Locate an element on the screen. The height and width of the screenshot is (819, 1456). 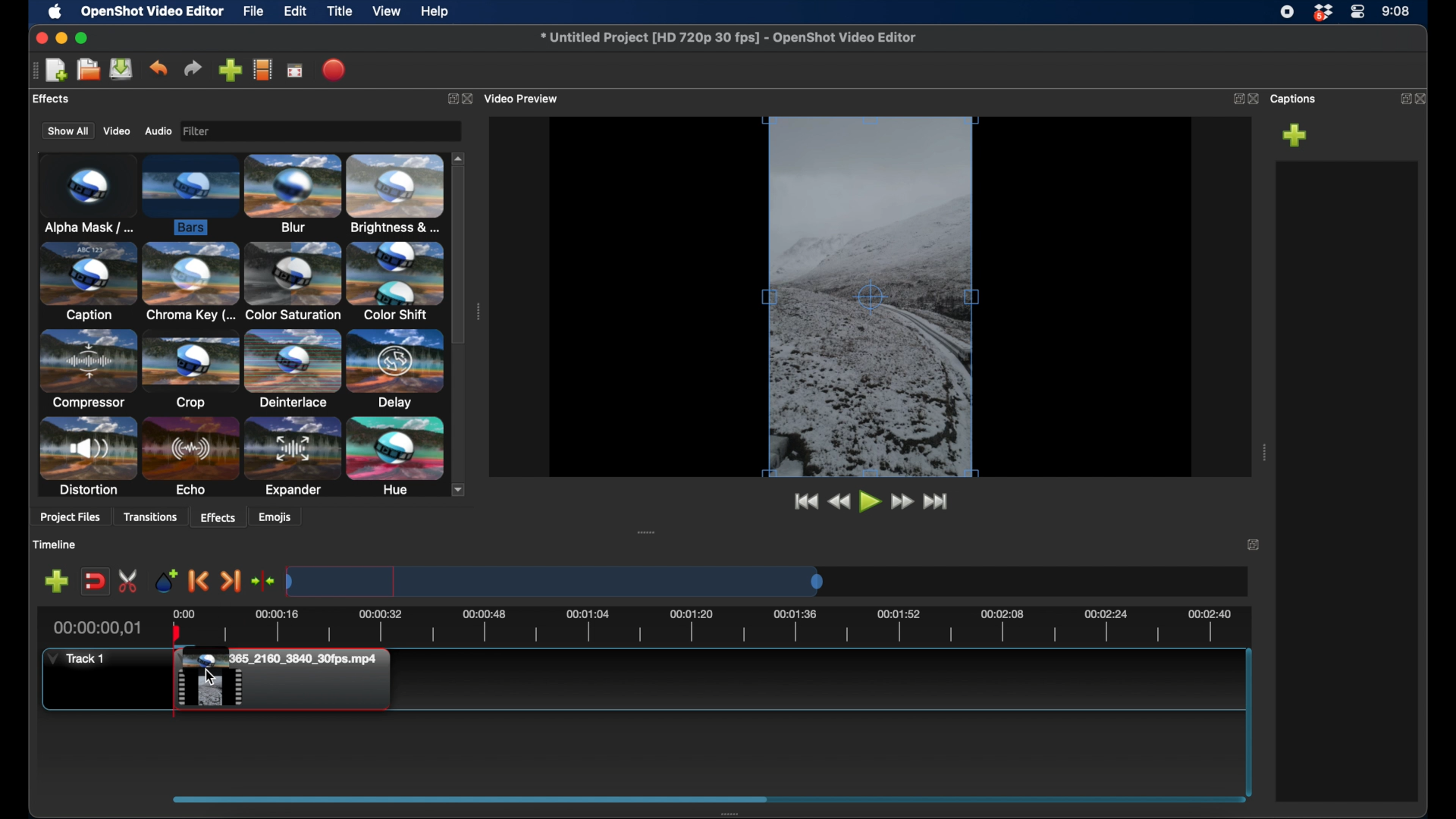
explore profiles is located at coordinates (263, 70).